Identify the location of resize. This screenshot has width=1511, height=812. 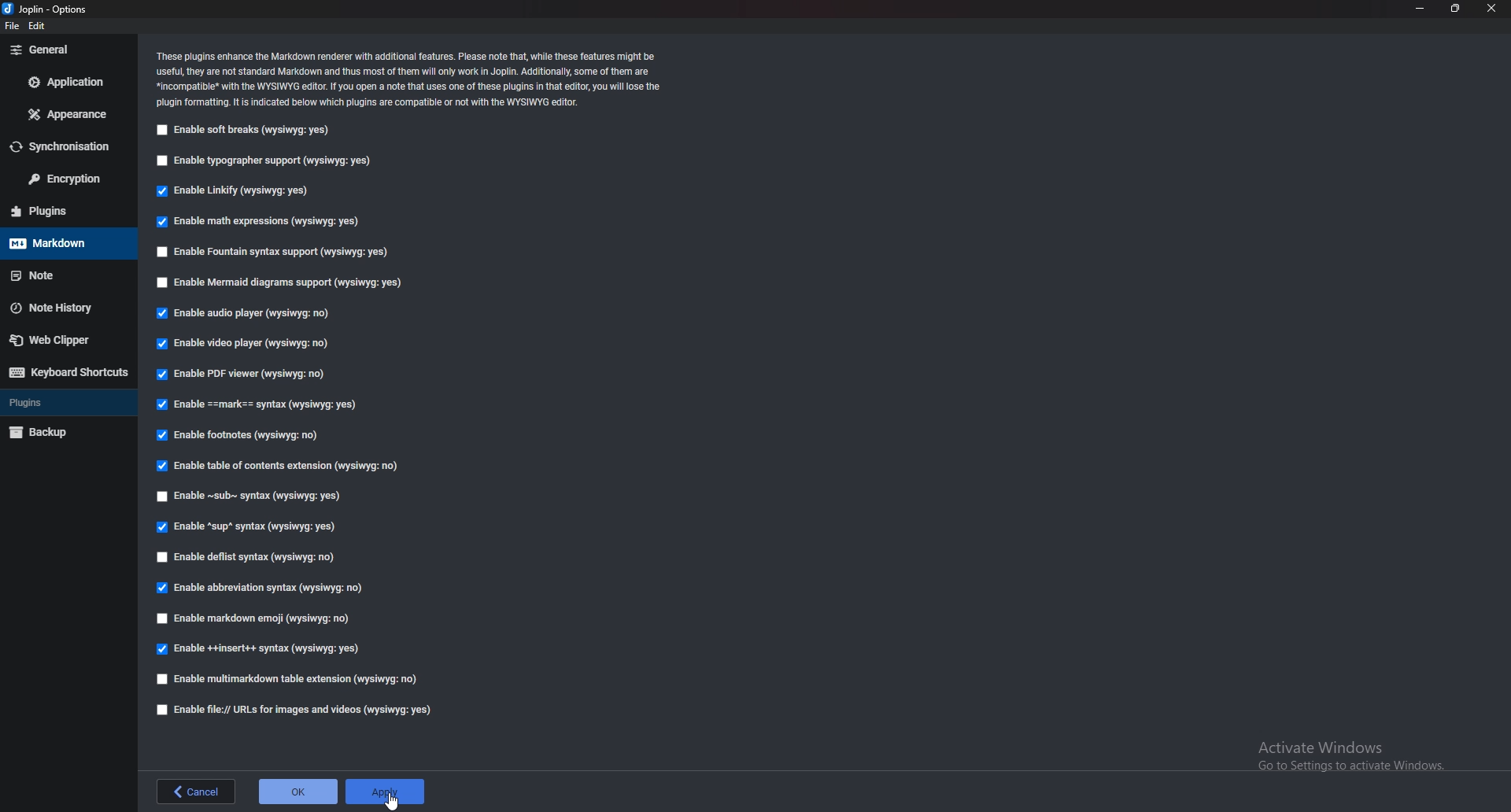
(1457, 8).